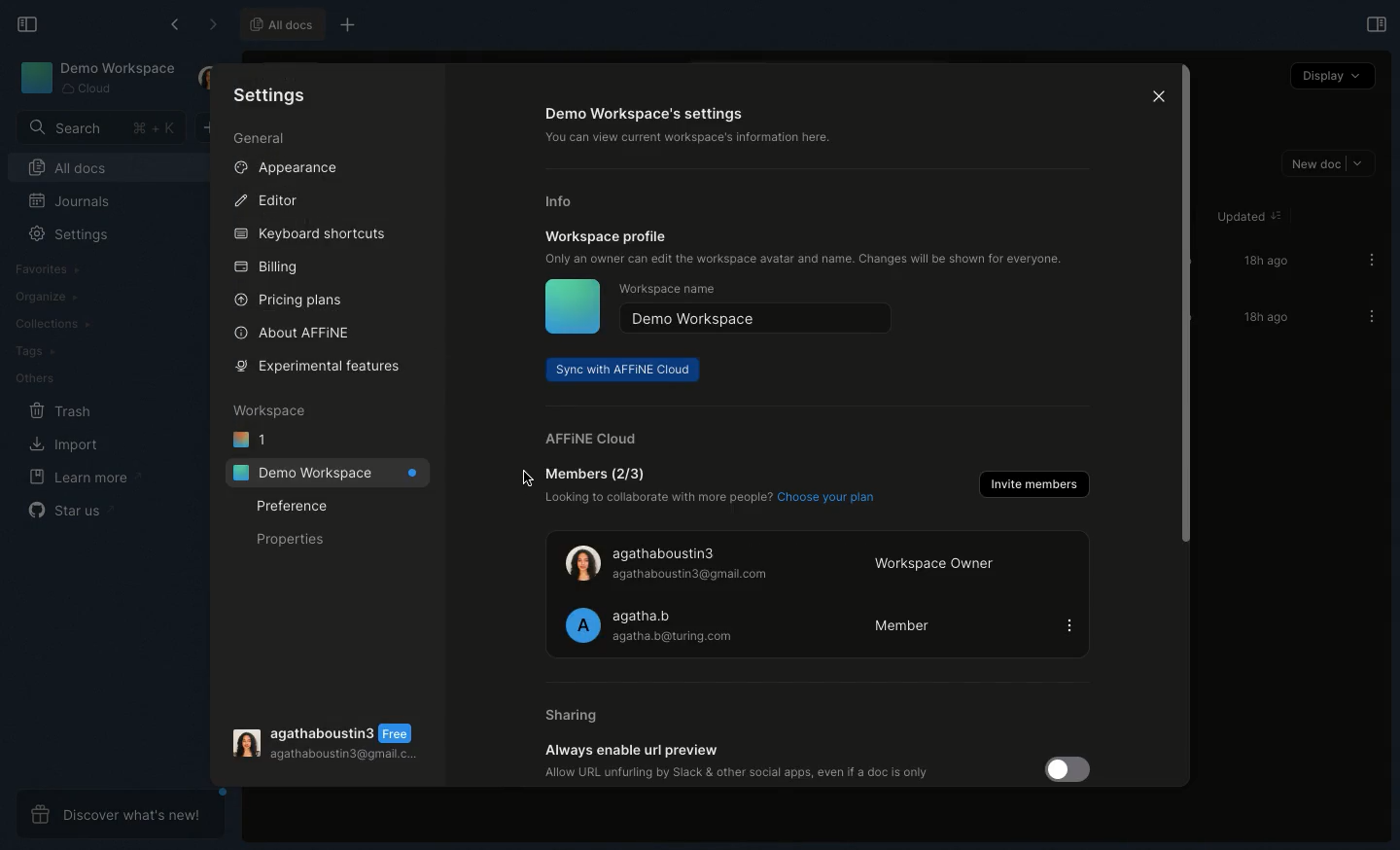 The height and width of the screenshot is (850, 1400). I want to click on Back, so click(174, 23).